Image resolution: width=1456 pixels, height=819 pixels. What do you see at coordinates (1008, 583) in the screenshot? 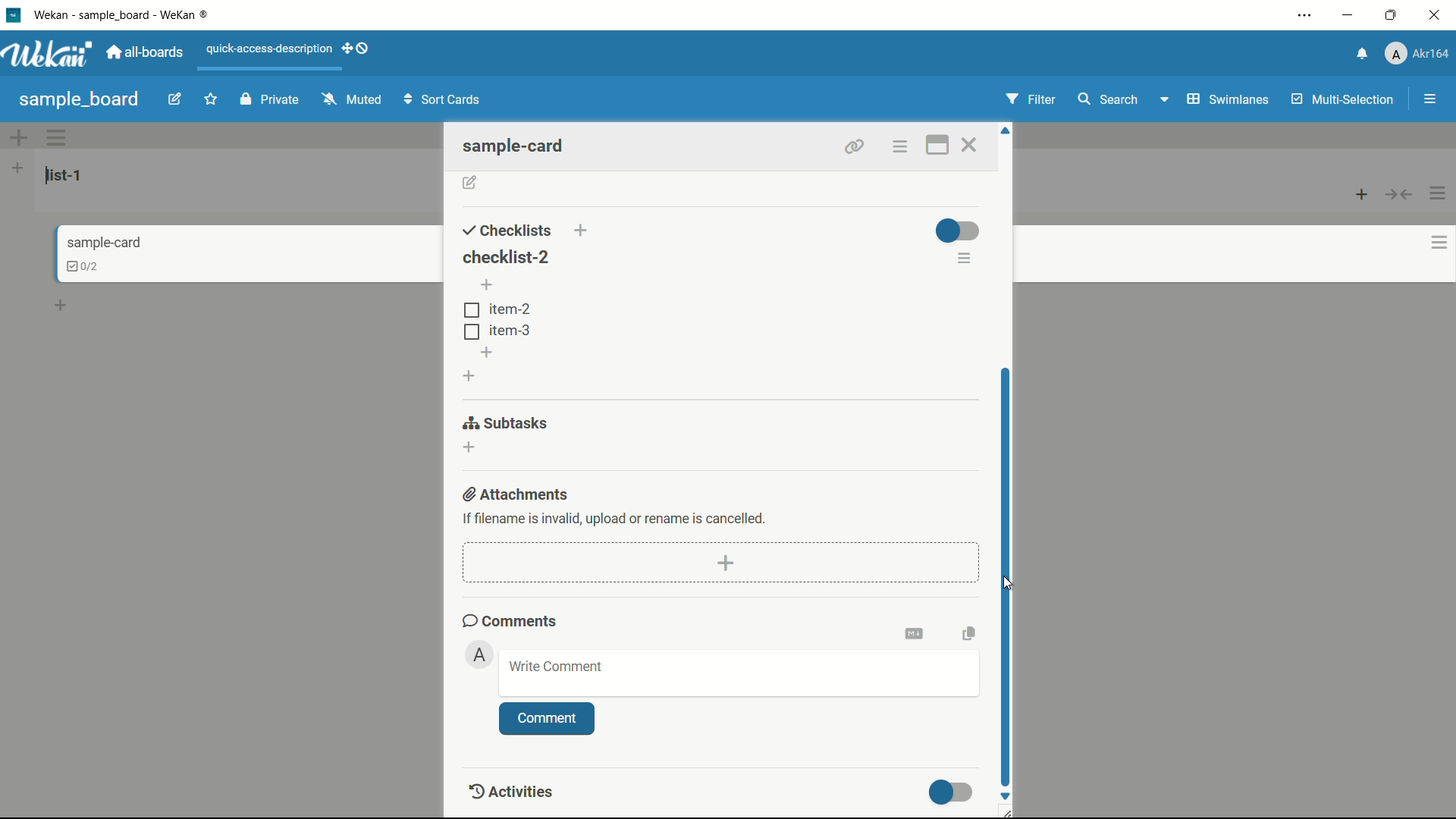
I see `button` at bounding box center [1008, 583].